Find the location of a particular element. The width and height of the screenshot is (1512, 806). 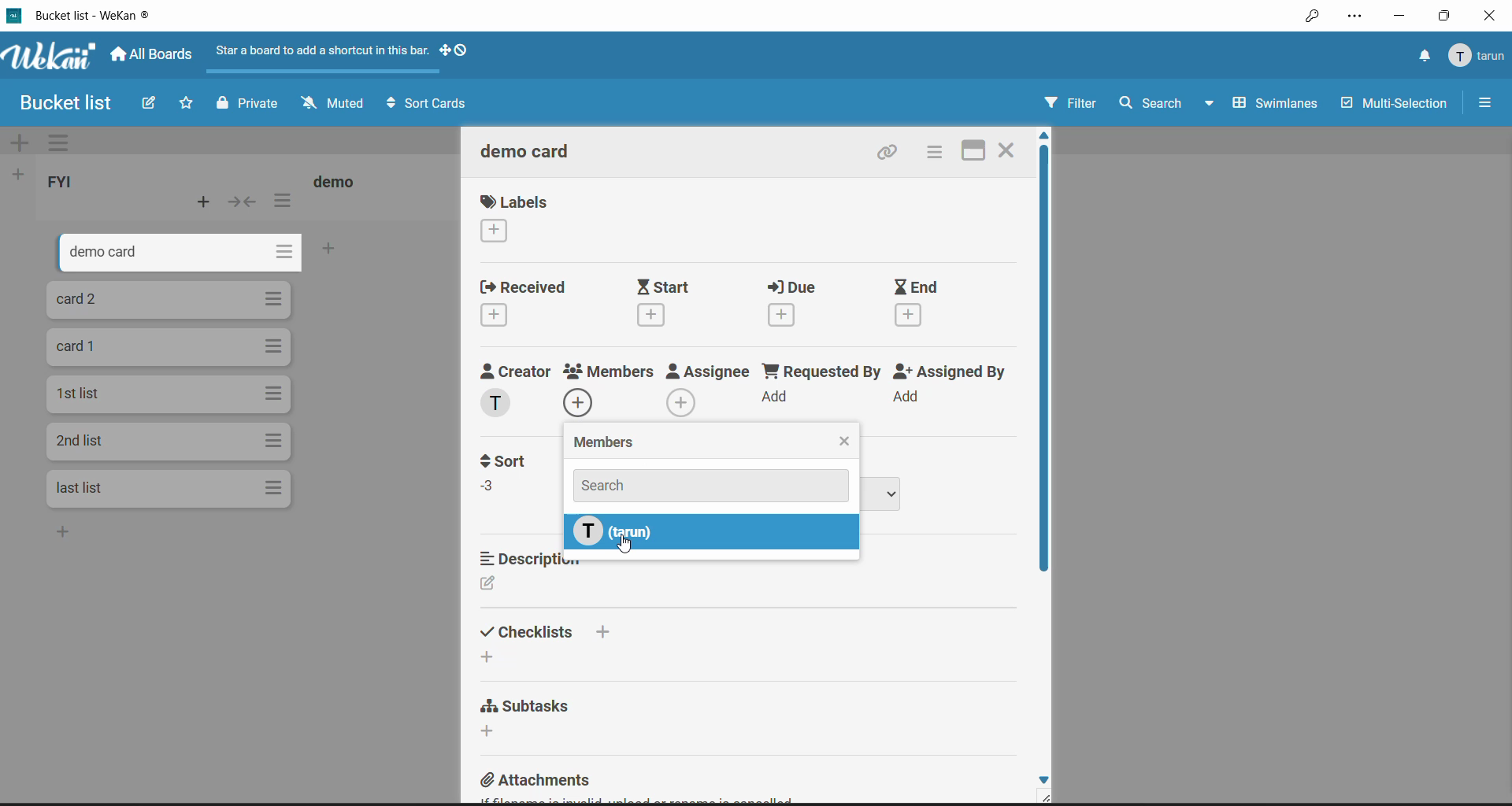

labels is located at coordinates (515, 202).